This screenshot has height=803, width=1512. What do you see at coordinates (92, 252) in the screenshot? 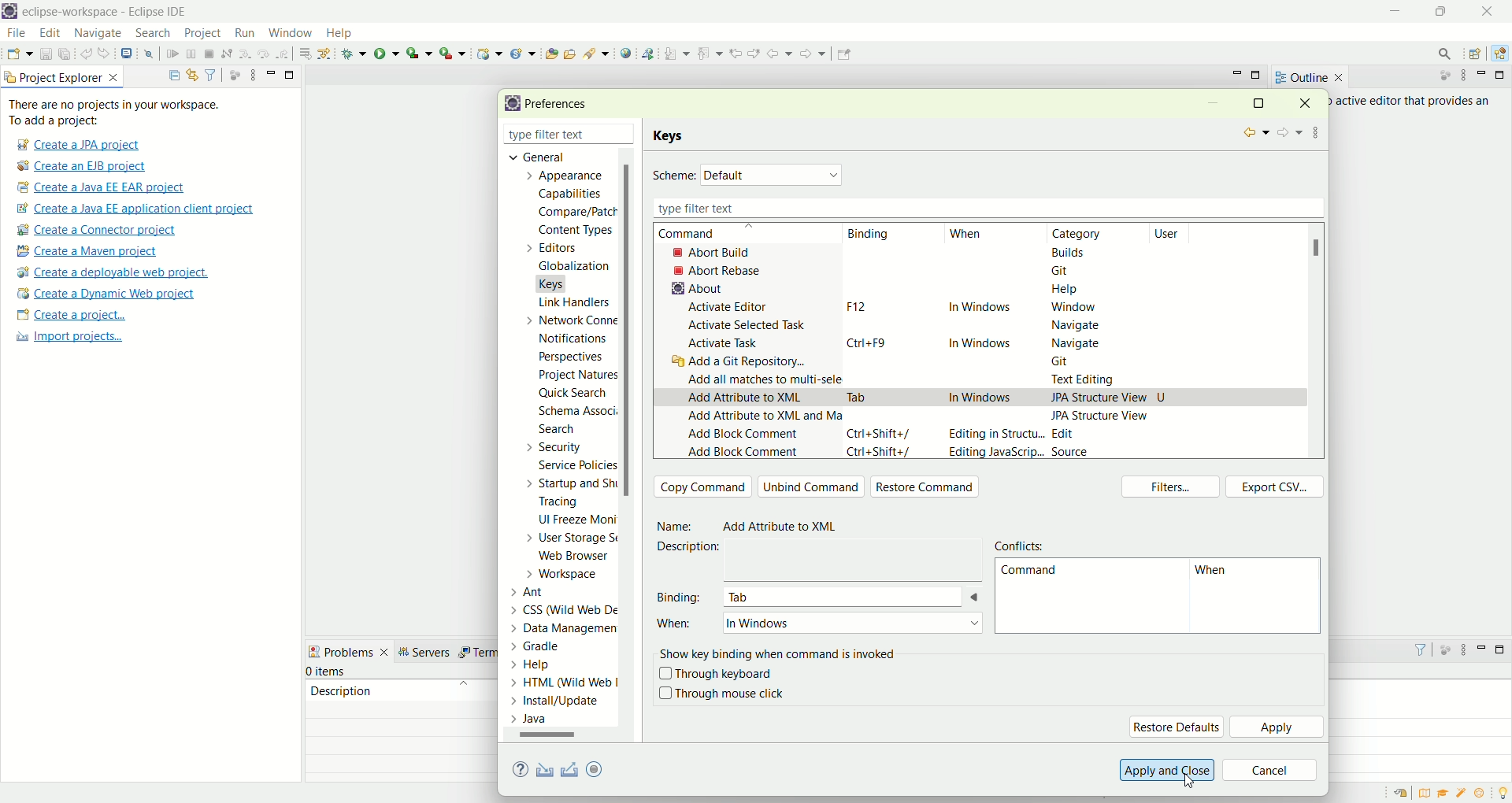
I see `create a maven project` at bounding box center [92, 252].